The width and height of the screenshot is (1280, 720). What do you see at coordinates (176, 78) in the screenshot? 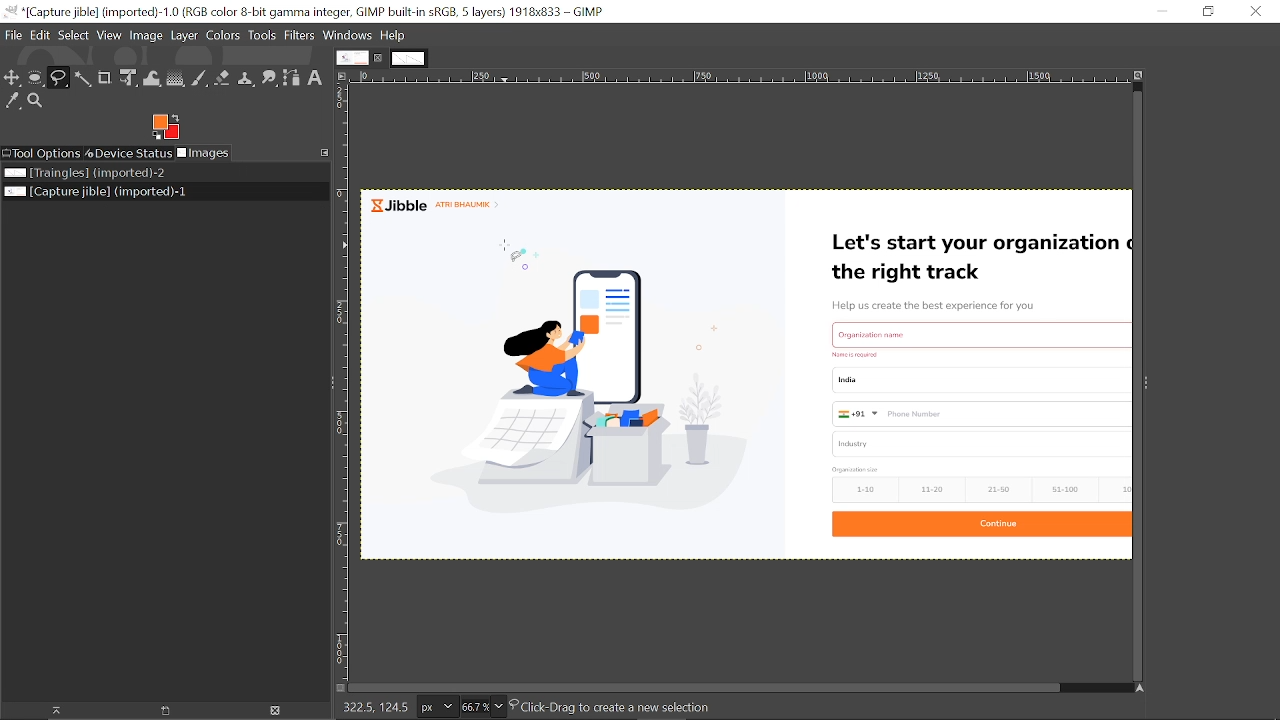
I see `Gradient tool` at bounding box center [176, 78].